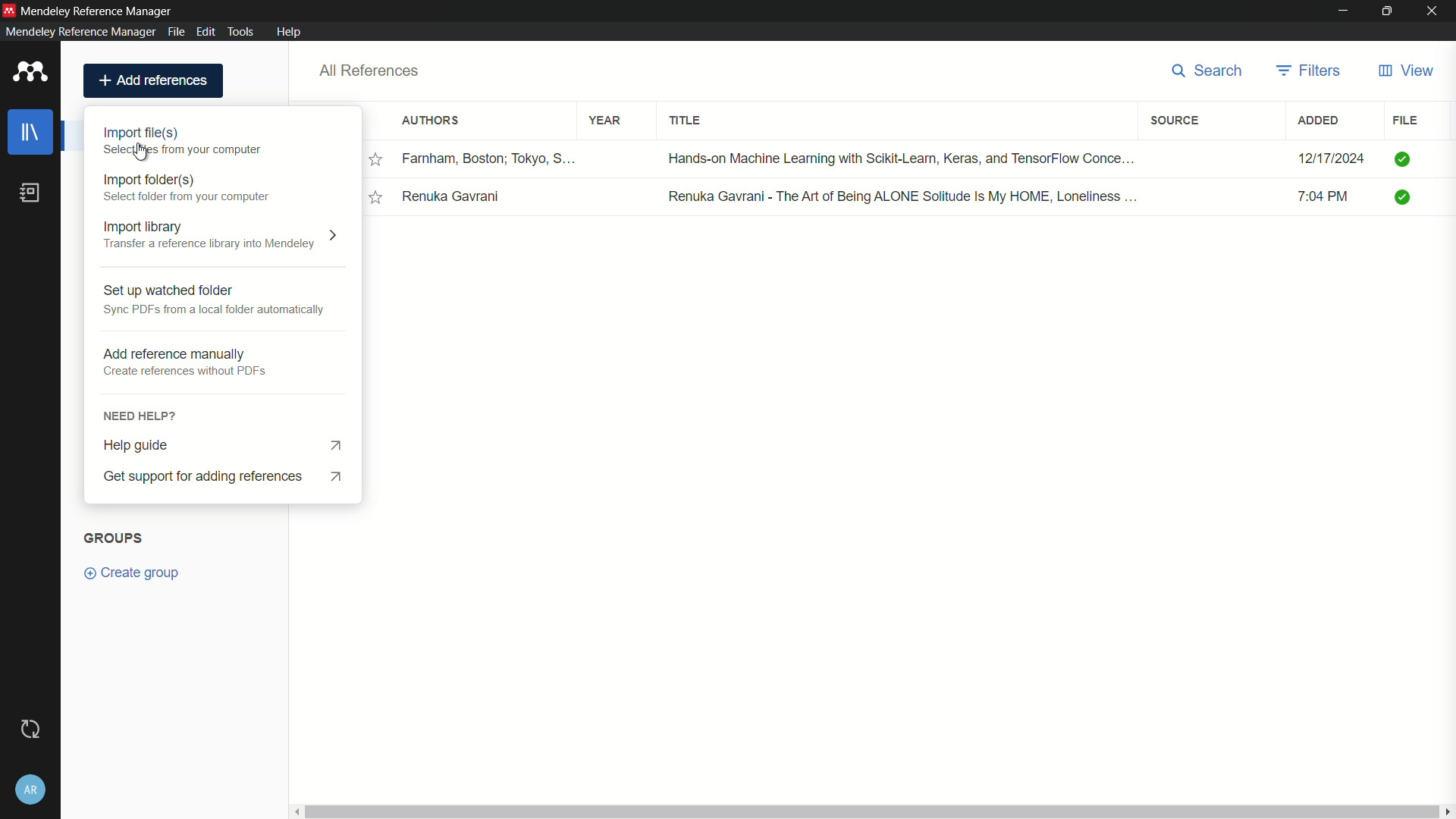 The image size is (1456, 819). Describe the element at coordinates (153, 80) in the screenshot. I see `add references` at that location.